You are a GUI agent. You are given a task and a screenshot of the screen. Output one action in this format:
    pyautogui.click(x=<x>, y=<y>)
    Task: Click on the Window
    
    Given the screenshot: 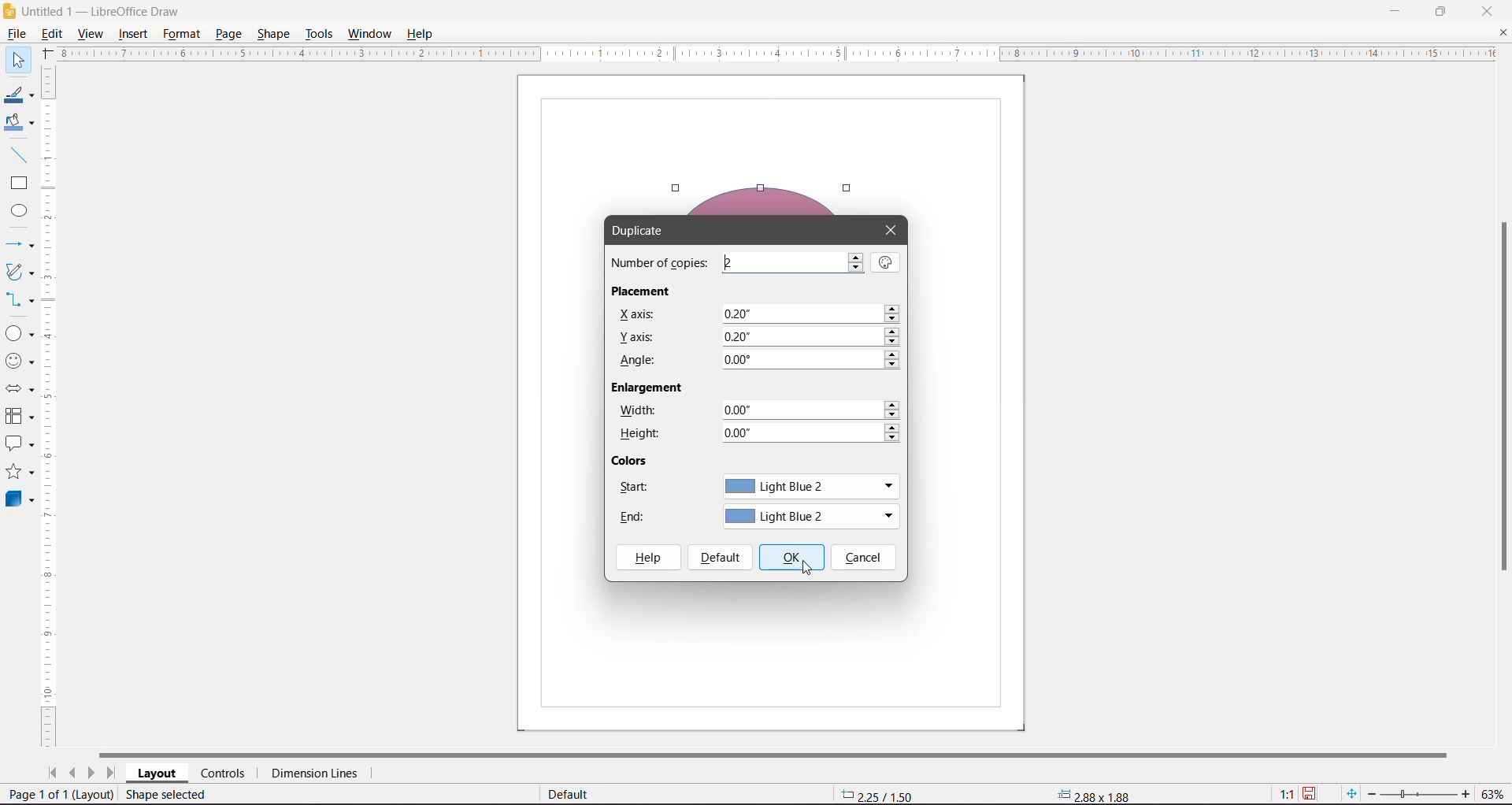 What is the action you would take?
    pyautogui.click(x=371, y=34)
    